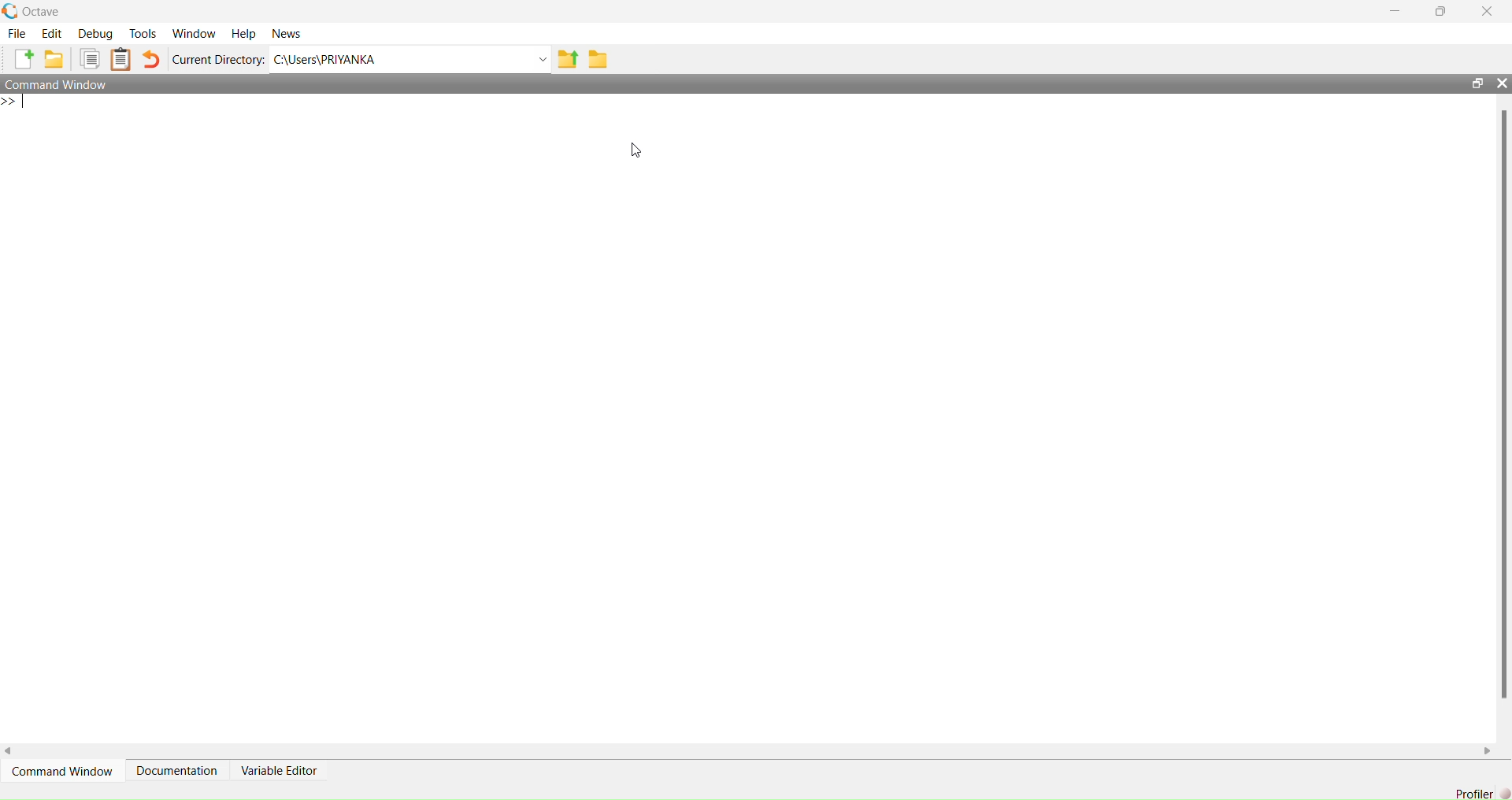 The image size is (1512, 800). Describe the element at coordinates (61, 771) in the screenshot. I see `Command Window` at that location.